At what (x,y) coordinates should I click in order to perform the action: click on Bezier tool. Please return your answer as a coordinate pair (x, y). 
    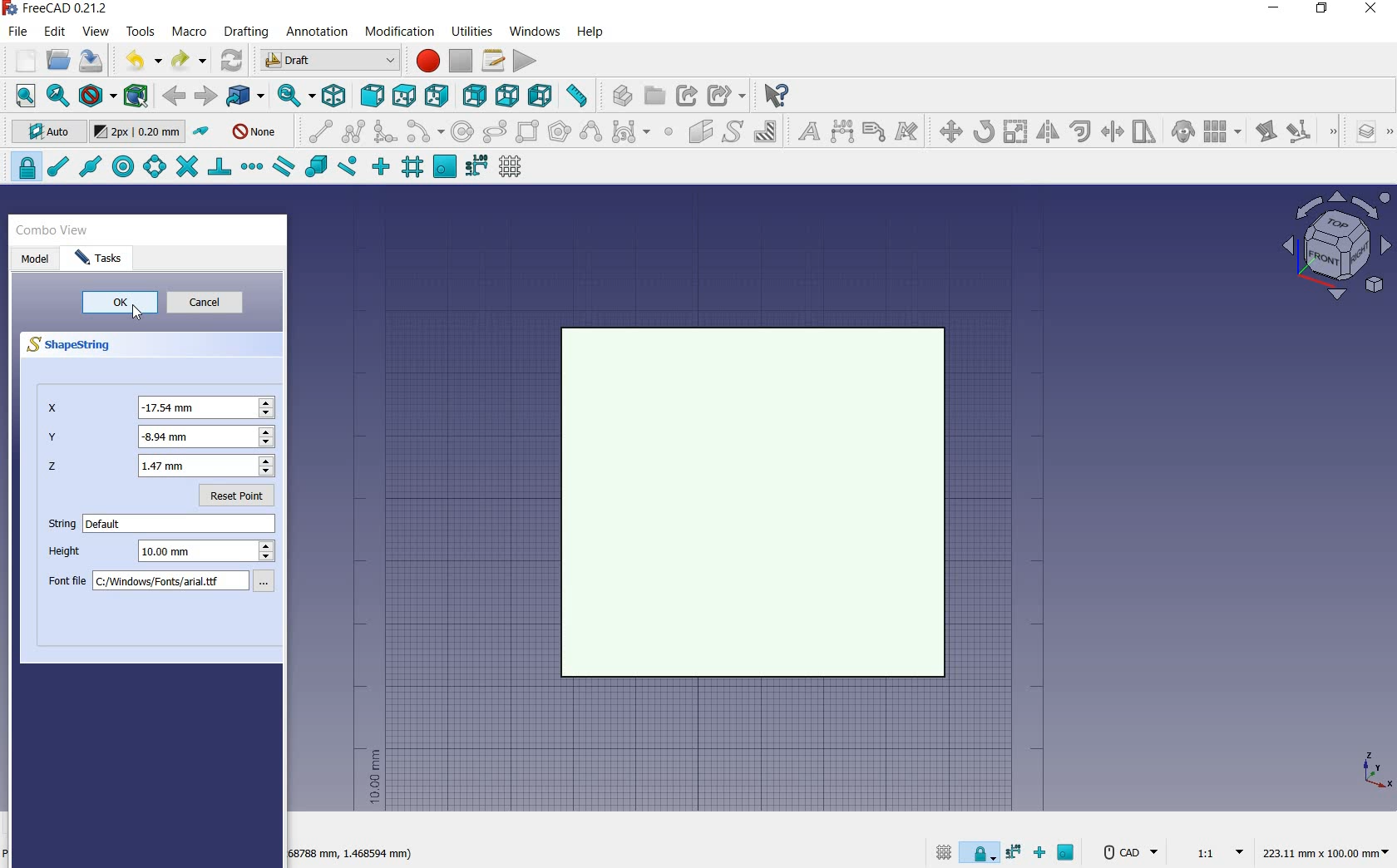
    Looking at the image, I should click on (629, 135).